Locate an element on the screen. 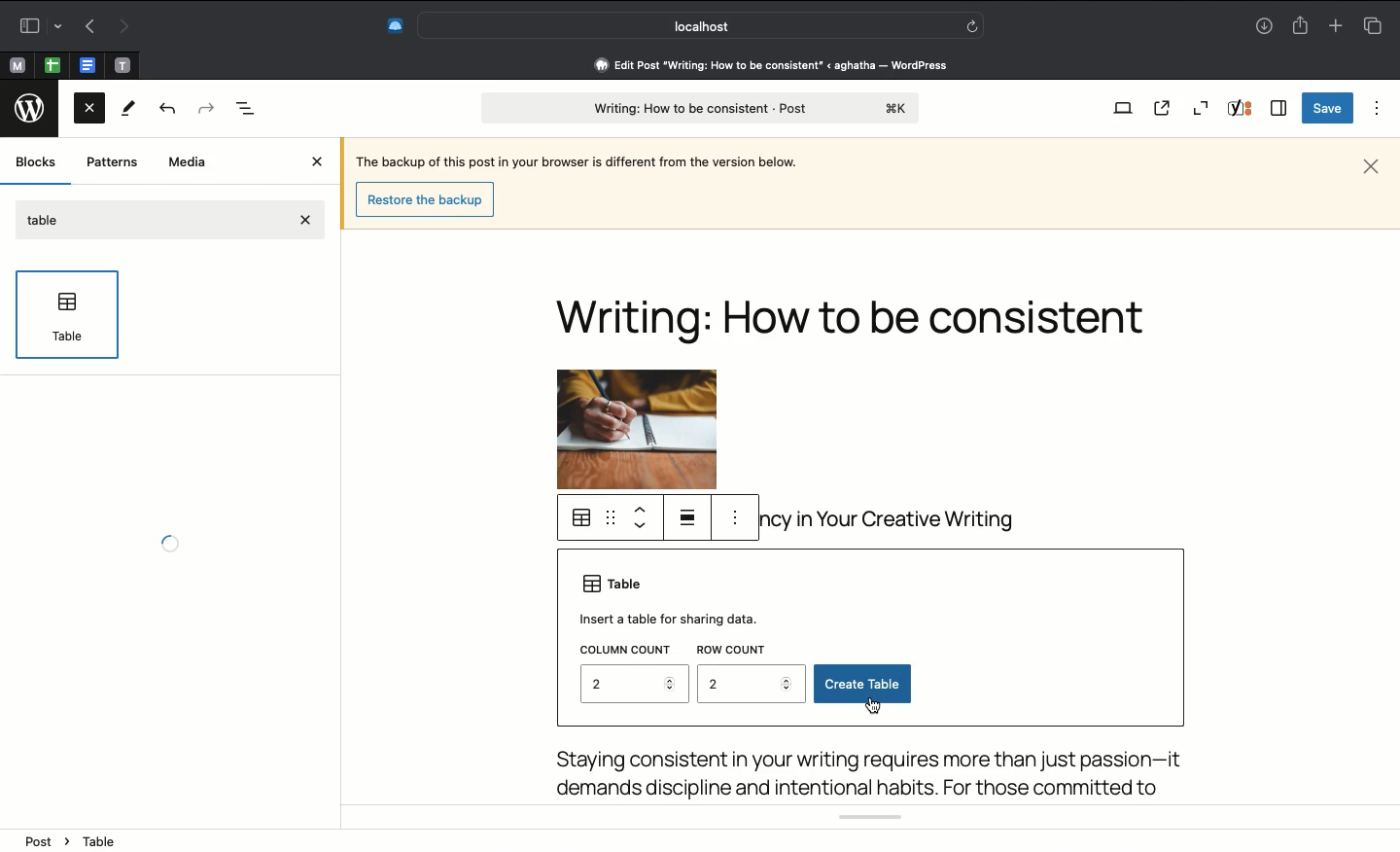 The image size is (1400, 852). Close is located at coordinates (1371, 166).